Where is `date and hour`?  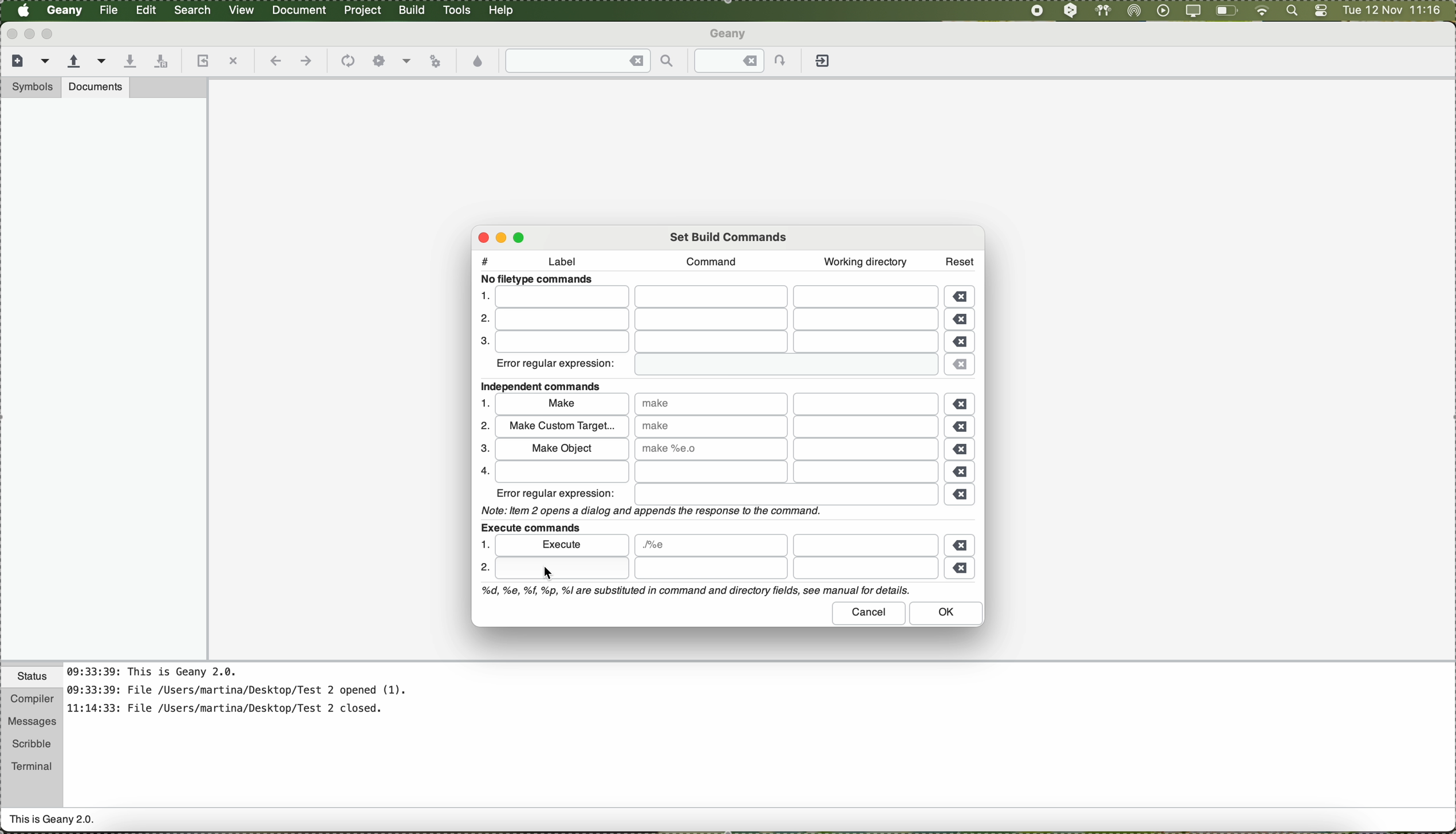
date and hour is located at coordinates (1392, 11).